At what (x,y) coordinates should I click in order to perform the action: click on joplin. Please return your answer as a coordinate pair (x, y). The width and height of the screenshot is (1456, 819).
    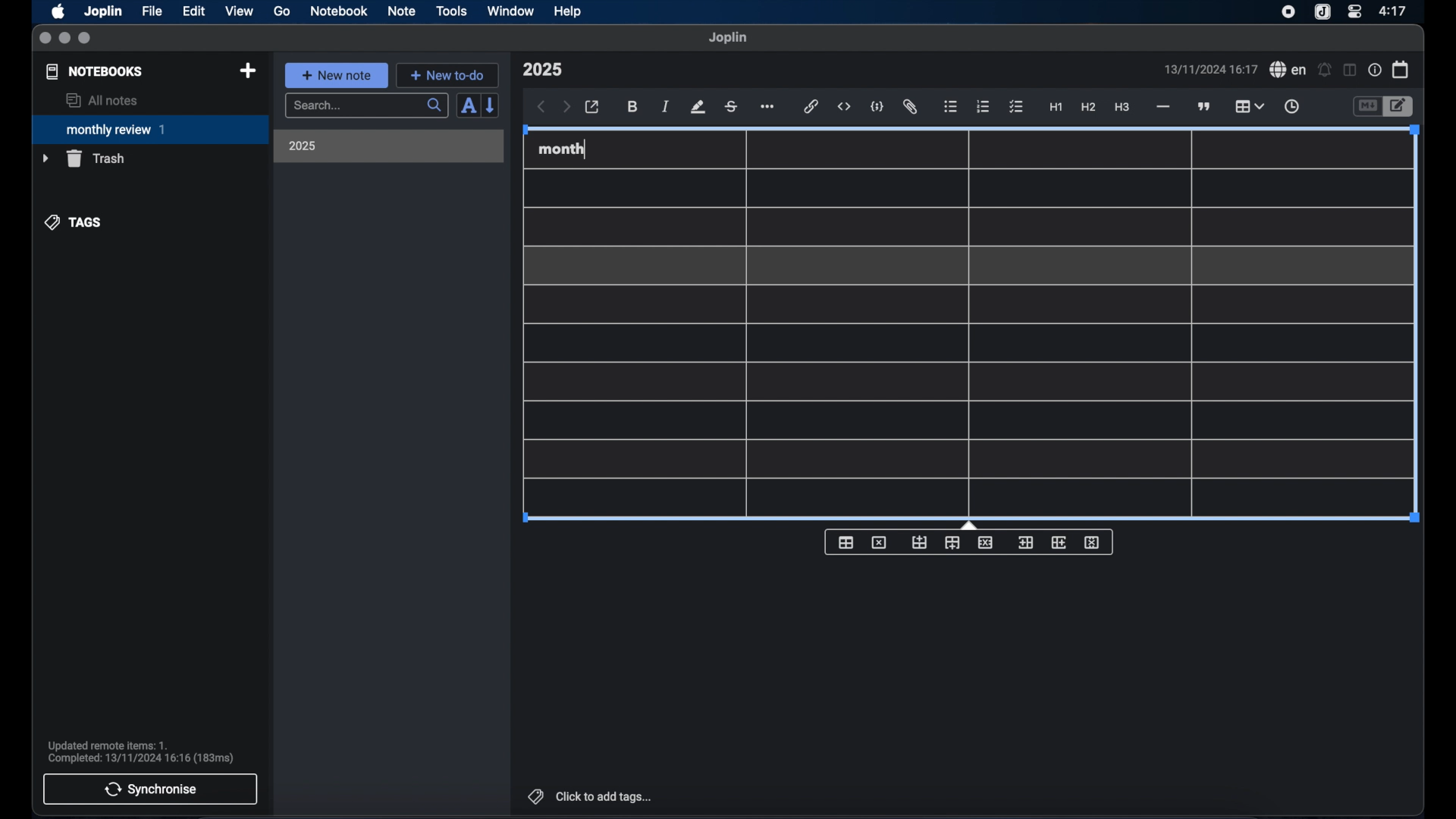
    Looking at the image, I should click on (728, 37).